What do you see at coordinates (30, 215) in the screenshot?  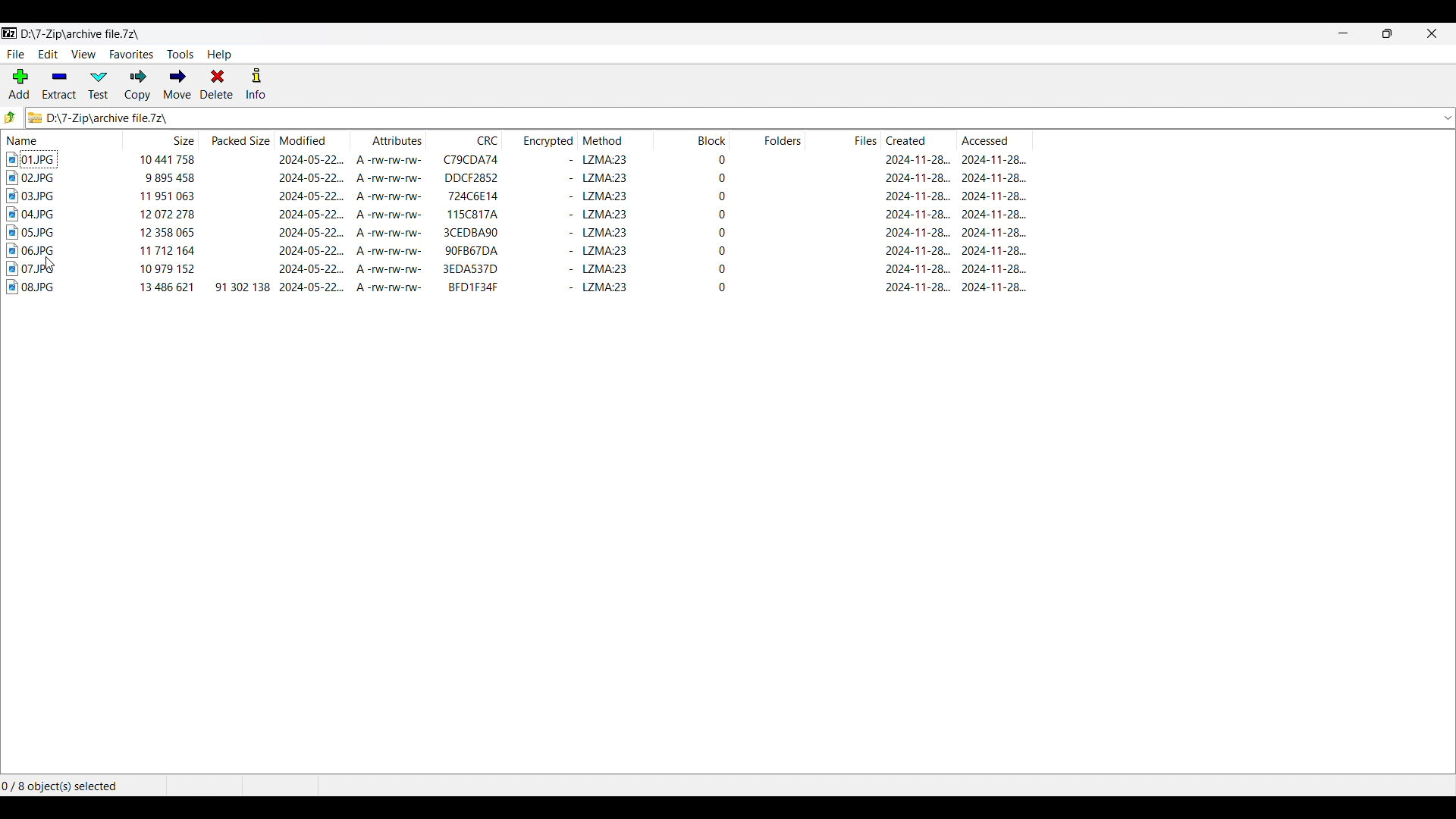 I see `image file` at bounding box center [30, 215].